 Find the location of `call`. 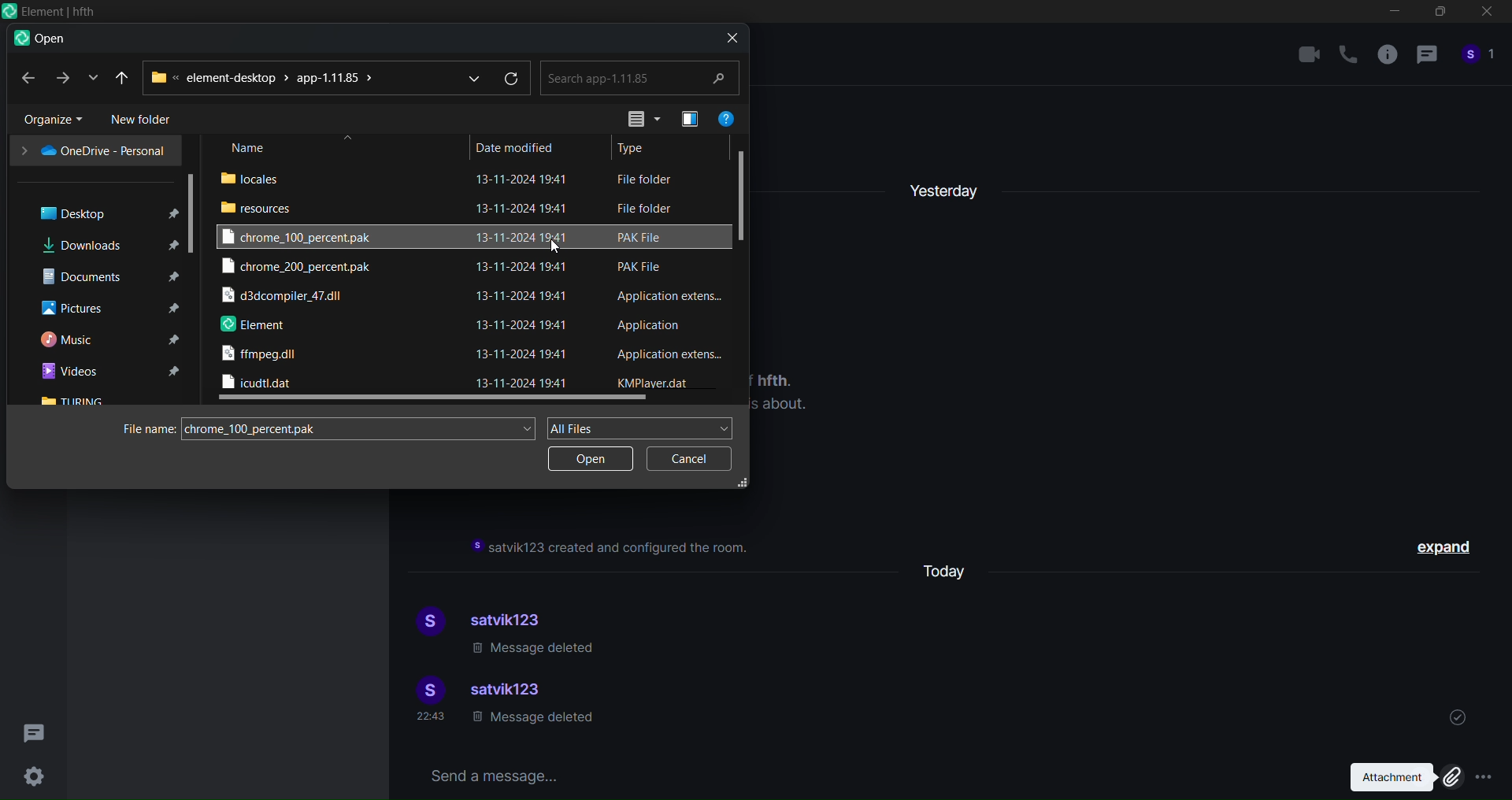

call is located at coordinates (1348, 55).